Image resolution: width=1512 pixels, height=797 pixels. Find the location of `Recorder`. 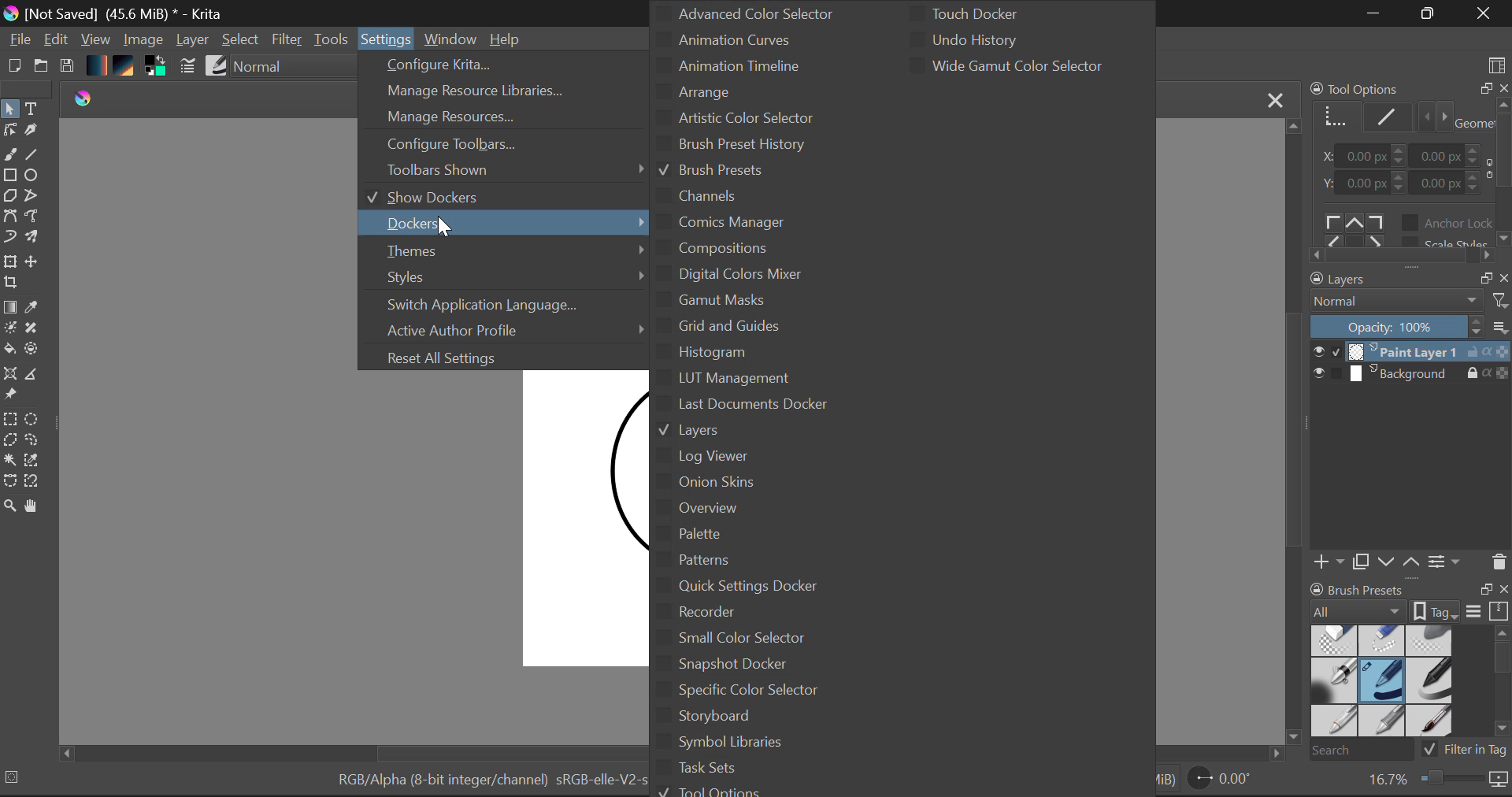

Recorder is located at coordinates (758, 614).